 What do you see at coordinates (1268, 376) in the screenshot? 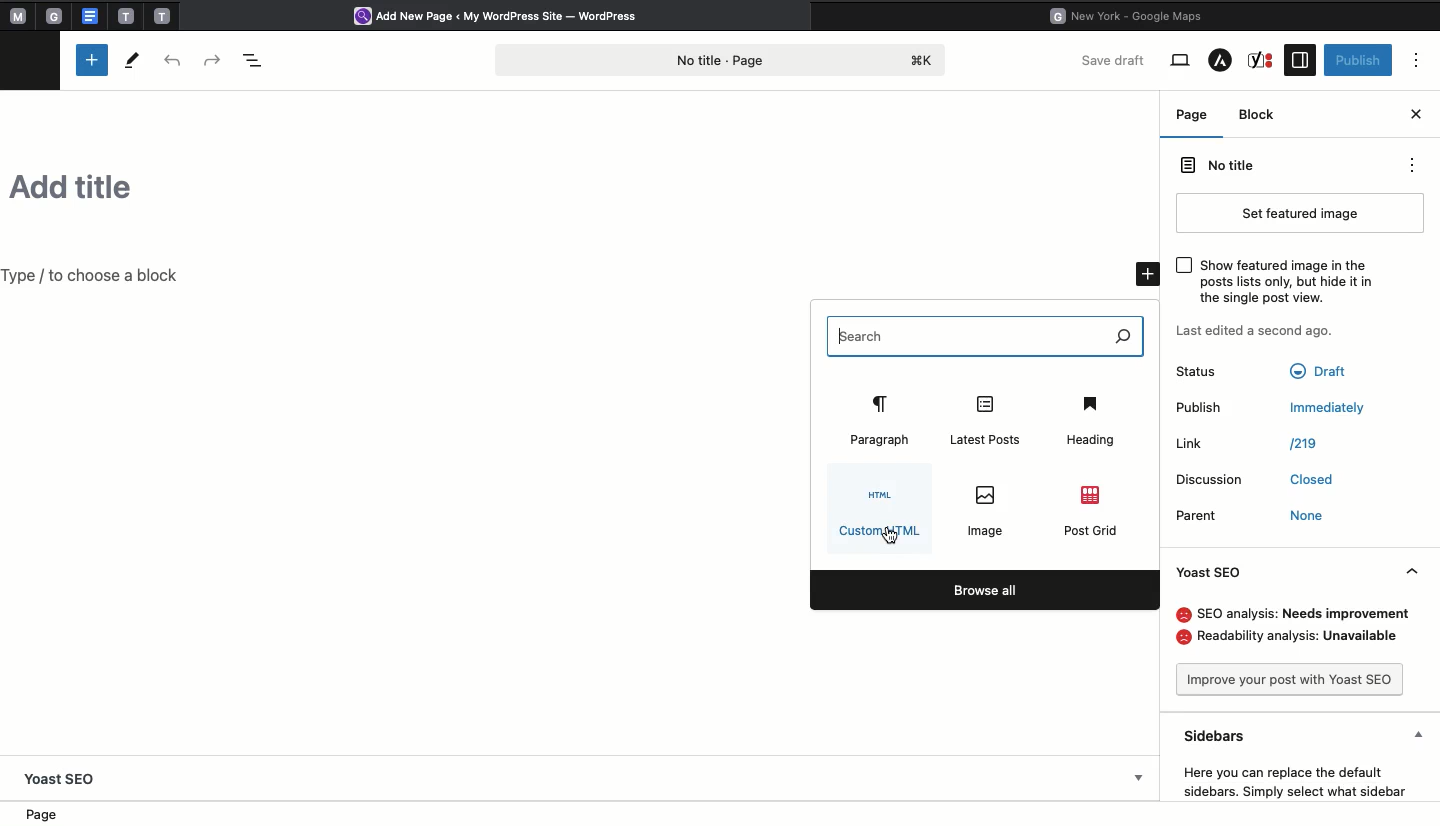
I see `Status` at bounding box center [1268, 376].